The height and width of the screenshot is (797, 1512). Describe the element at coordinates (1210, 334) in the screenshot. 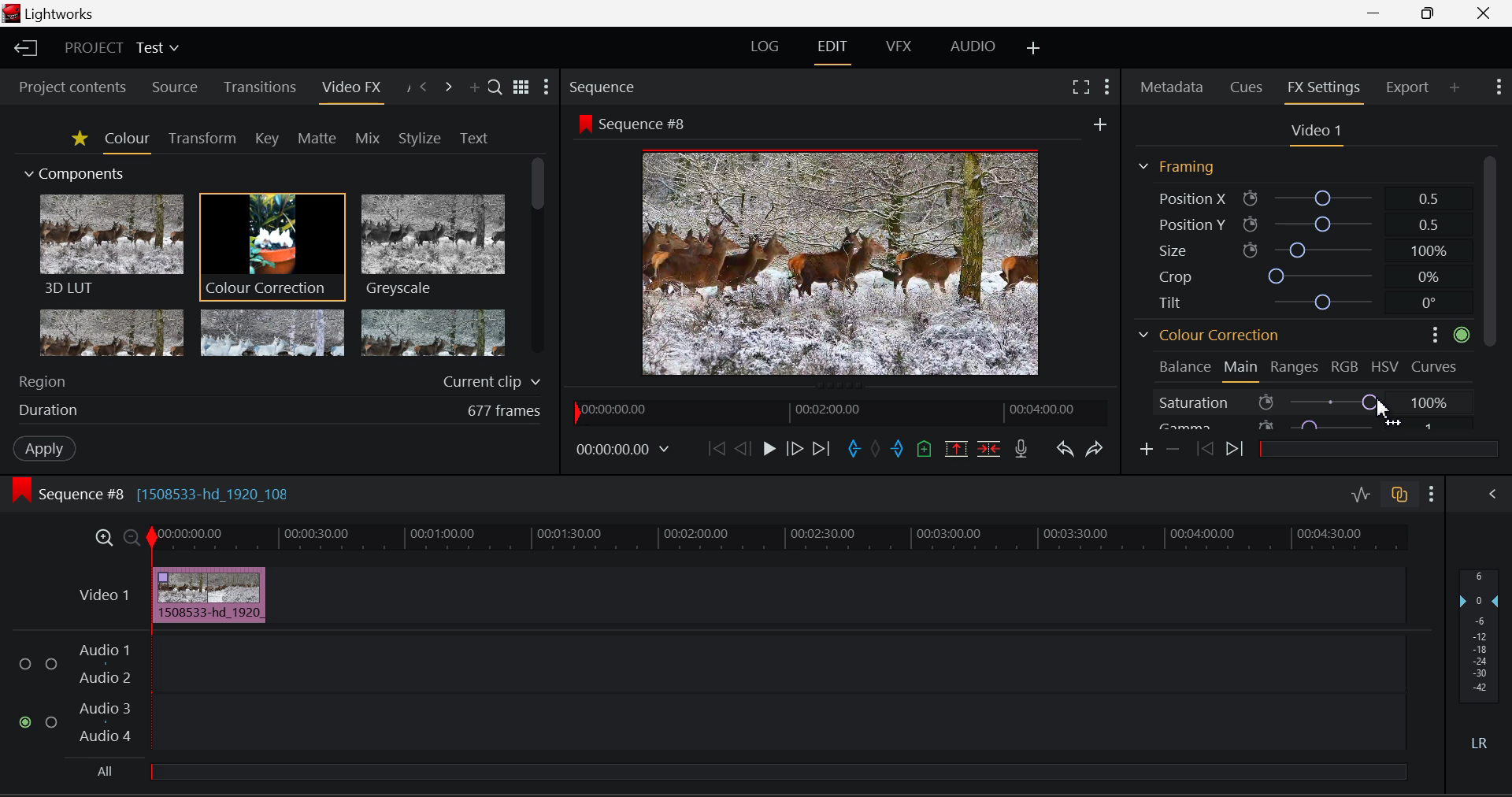

I see `Colour Correction` at that location.